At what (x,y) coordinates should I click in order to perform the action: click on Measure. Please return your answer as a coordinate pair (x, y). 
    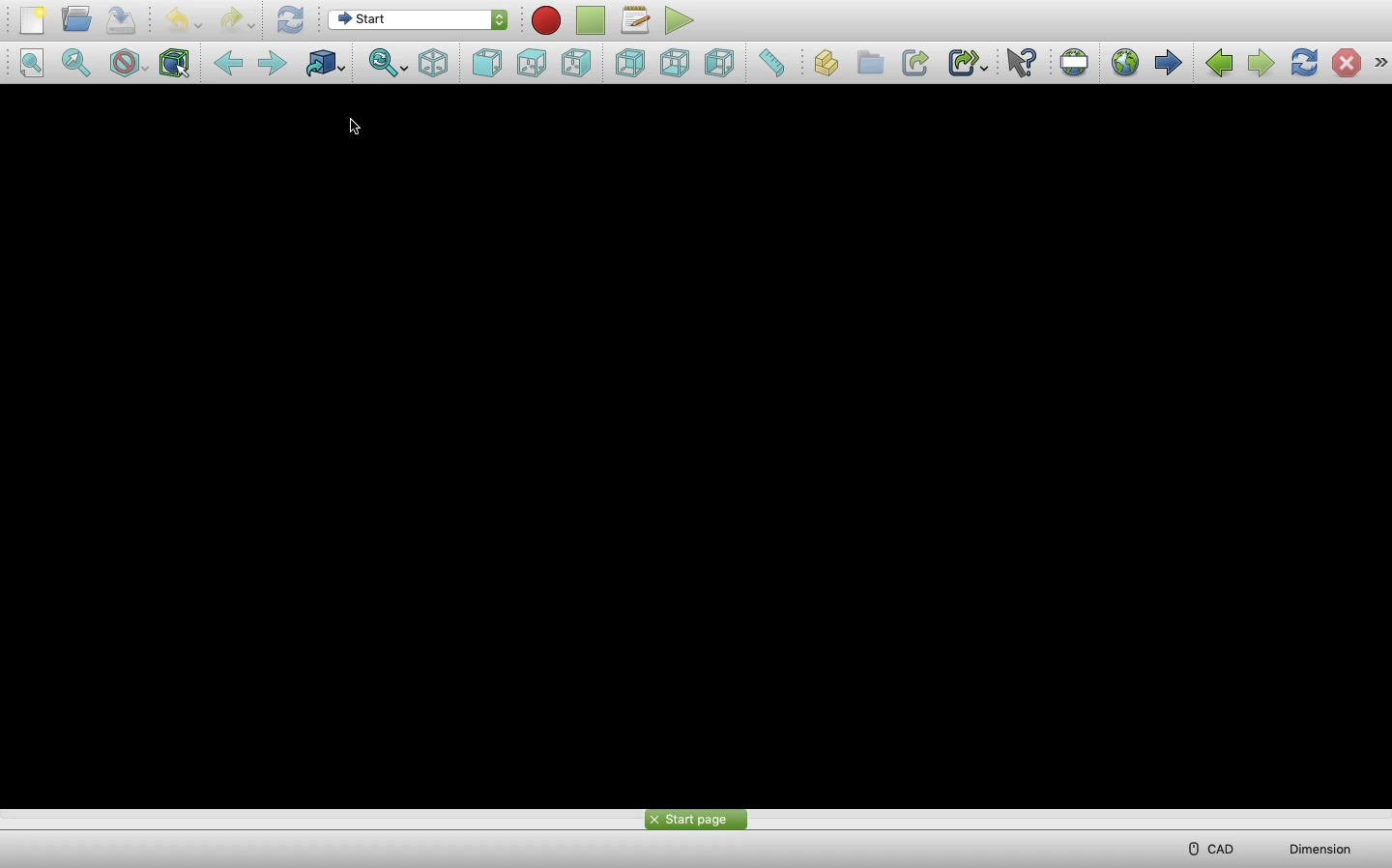
    Looking at the image, I should click on (774, 63).